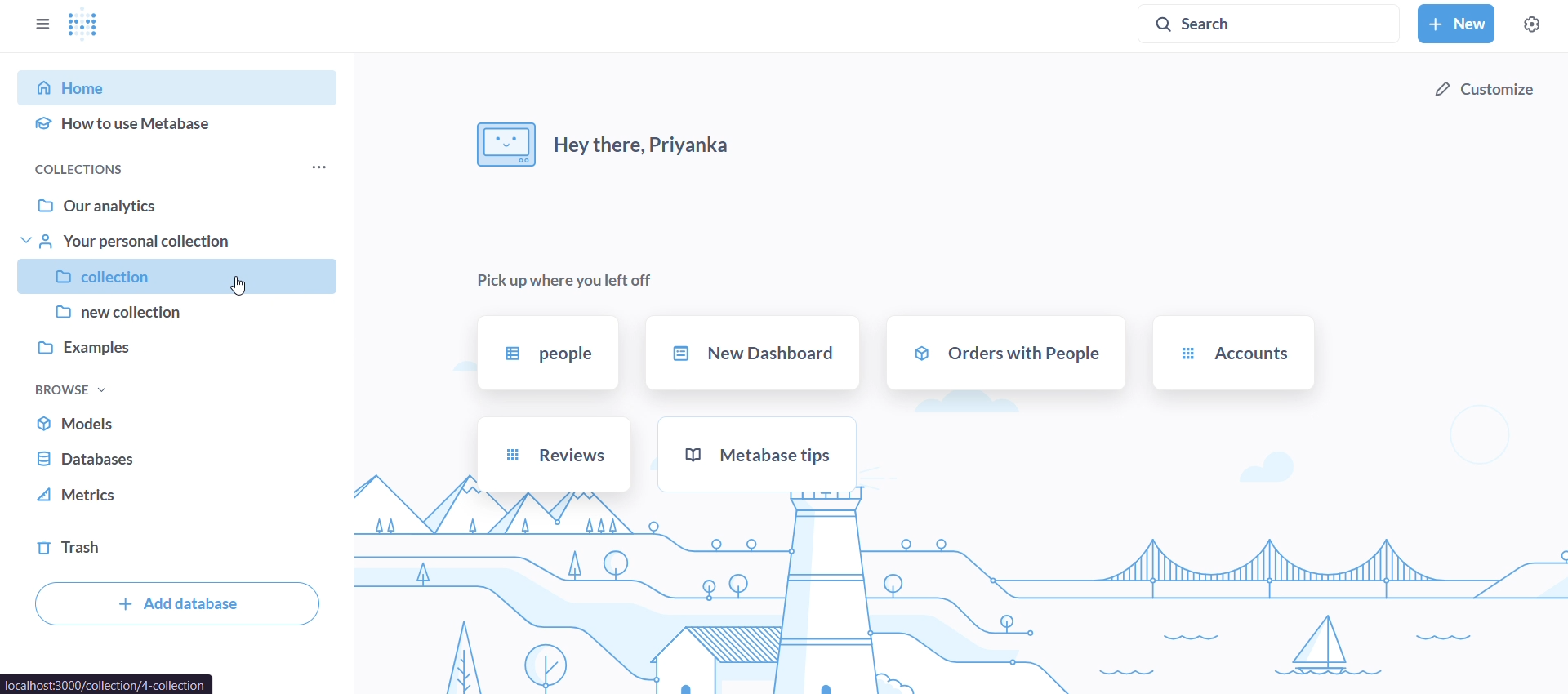 Image resolution: width=1568 pixels, height=694 pixels. Describe the element at coordinates (180, 277) in the screenshot. I see `collection` at that location.